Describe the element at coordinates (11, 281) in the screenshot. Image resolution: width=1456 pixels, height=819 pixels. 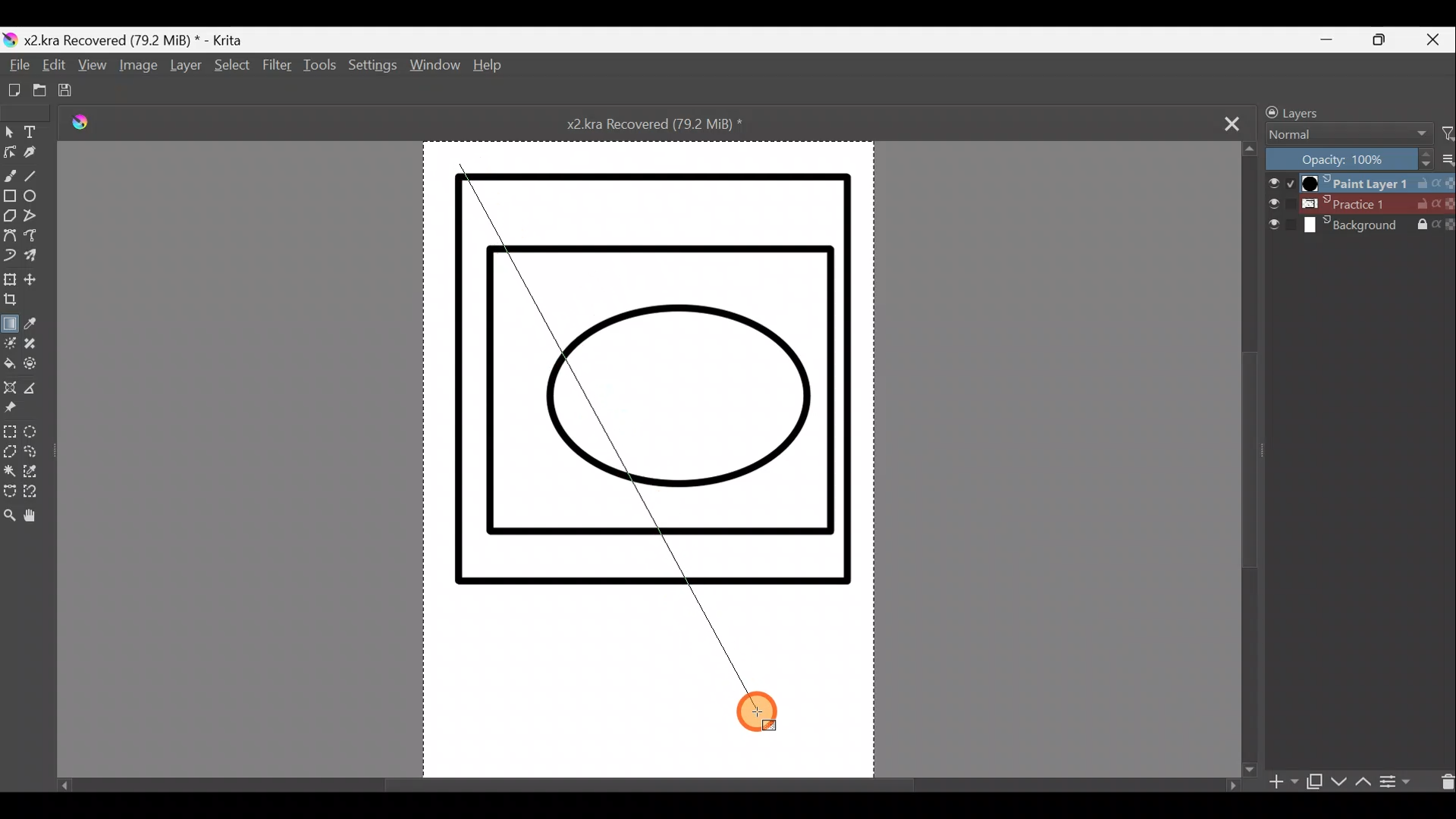
I see `Transform a layer/selection` at that location.